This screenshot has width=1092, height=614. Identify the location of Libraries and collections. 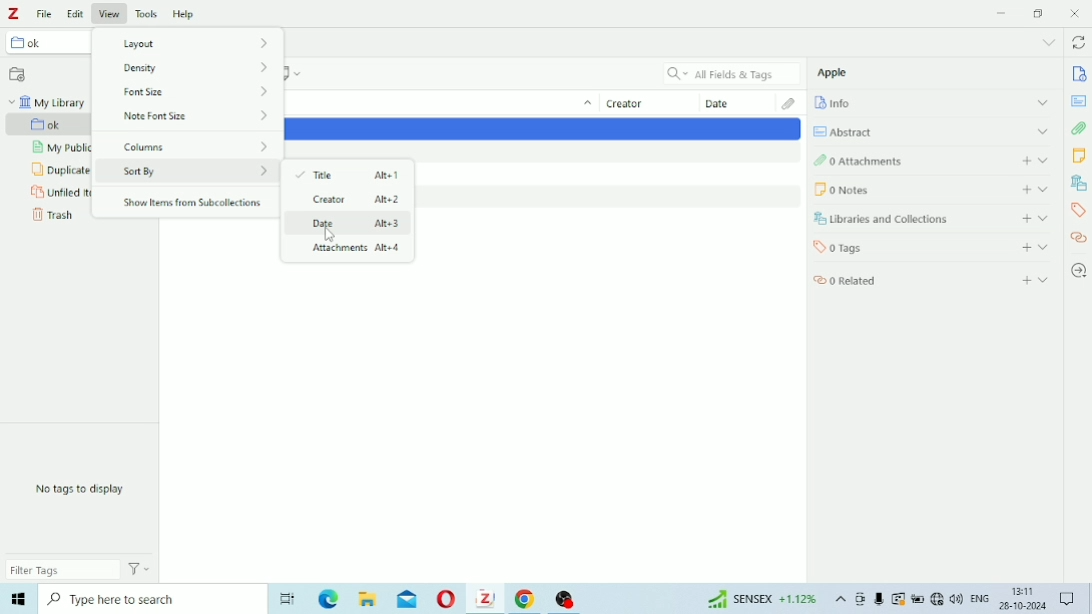
(1079, 183).